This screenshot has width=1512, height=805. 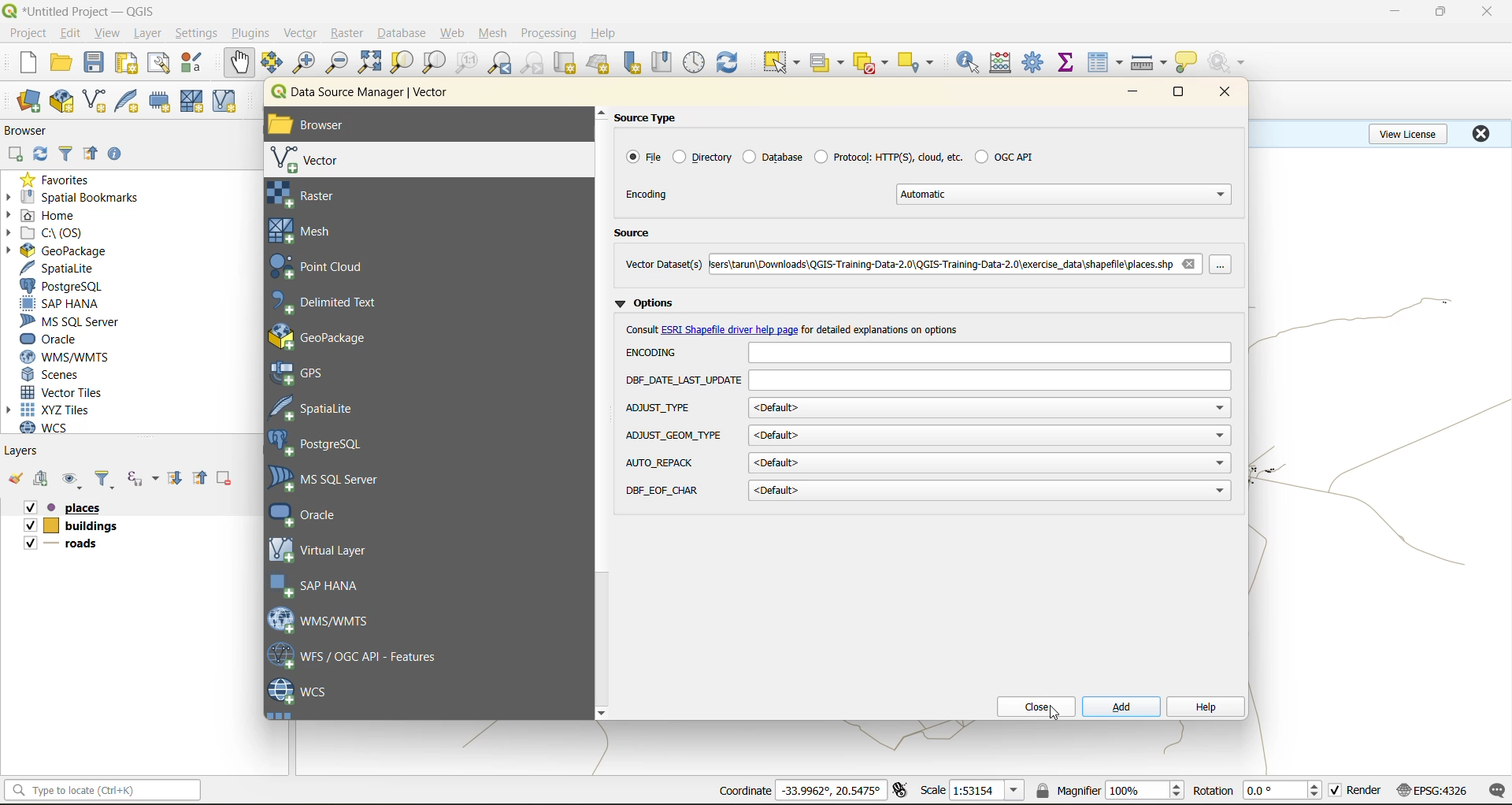 What do you see at coordinates (467, 63) in the screenshot?
I see `zoom native` at bounding box center [467, 63].